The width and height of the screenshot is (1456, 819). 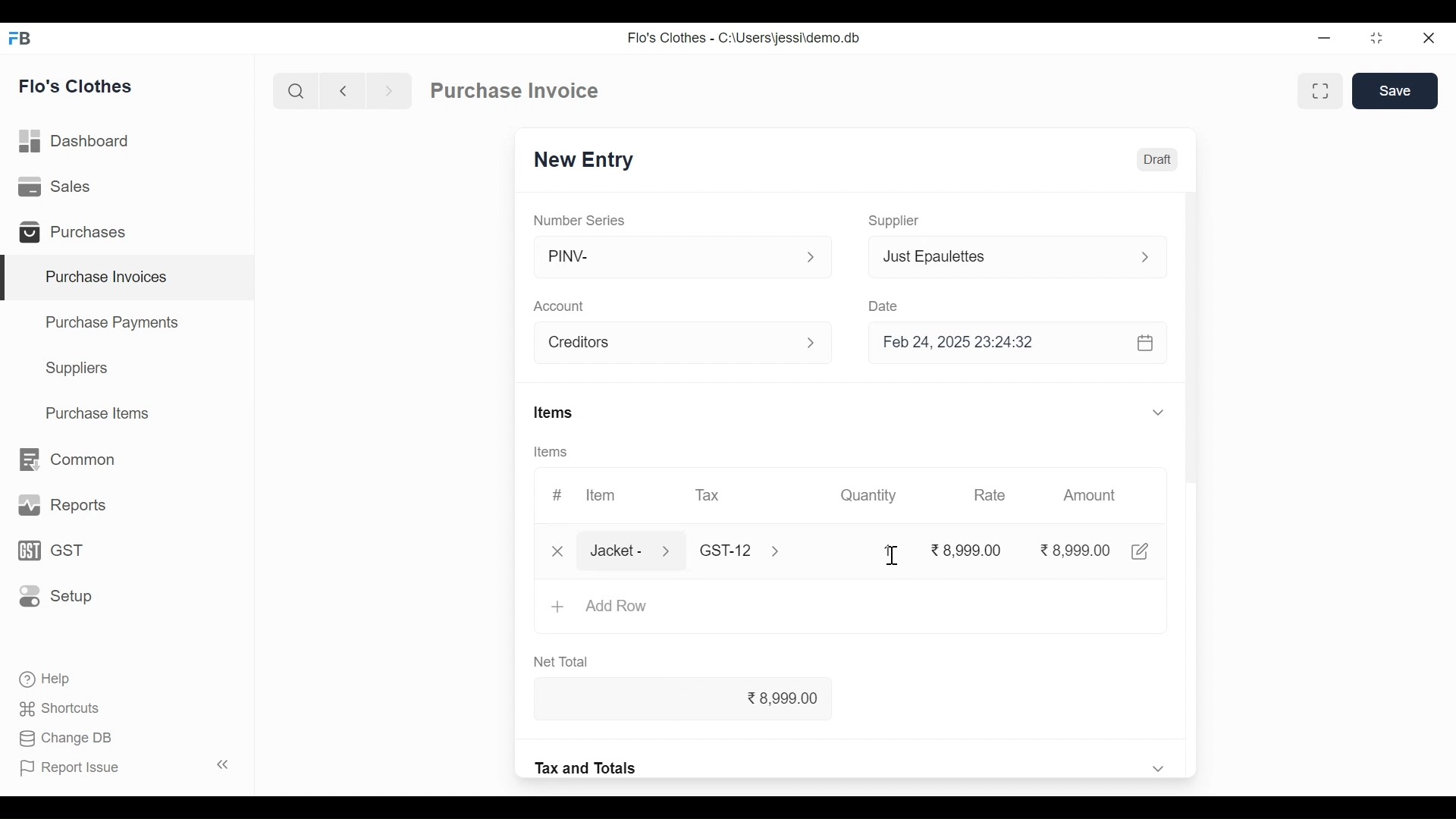 I want to click on Expand, so click(x=783, y=553).